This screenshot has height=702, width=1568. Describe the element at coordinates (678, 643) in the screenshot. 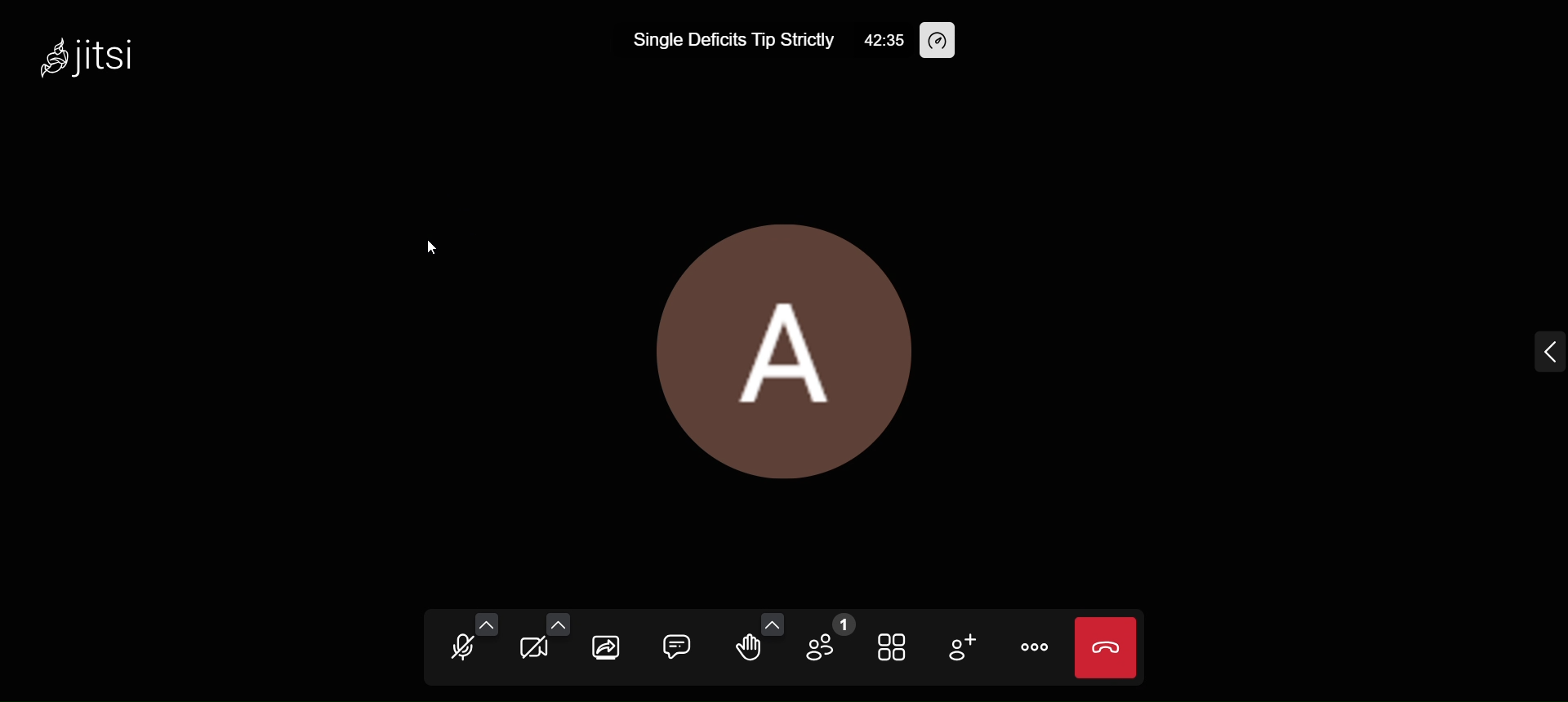

I see `open chat` at that location.